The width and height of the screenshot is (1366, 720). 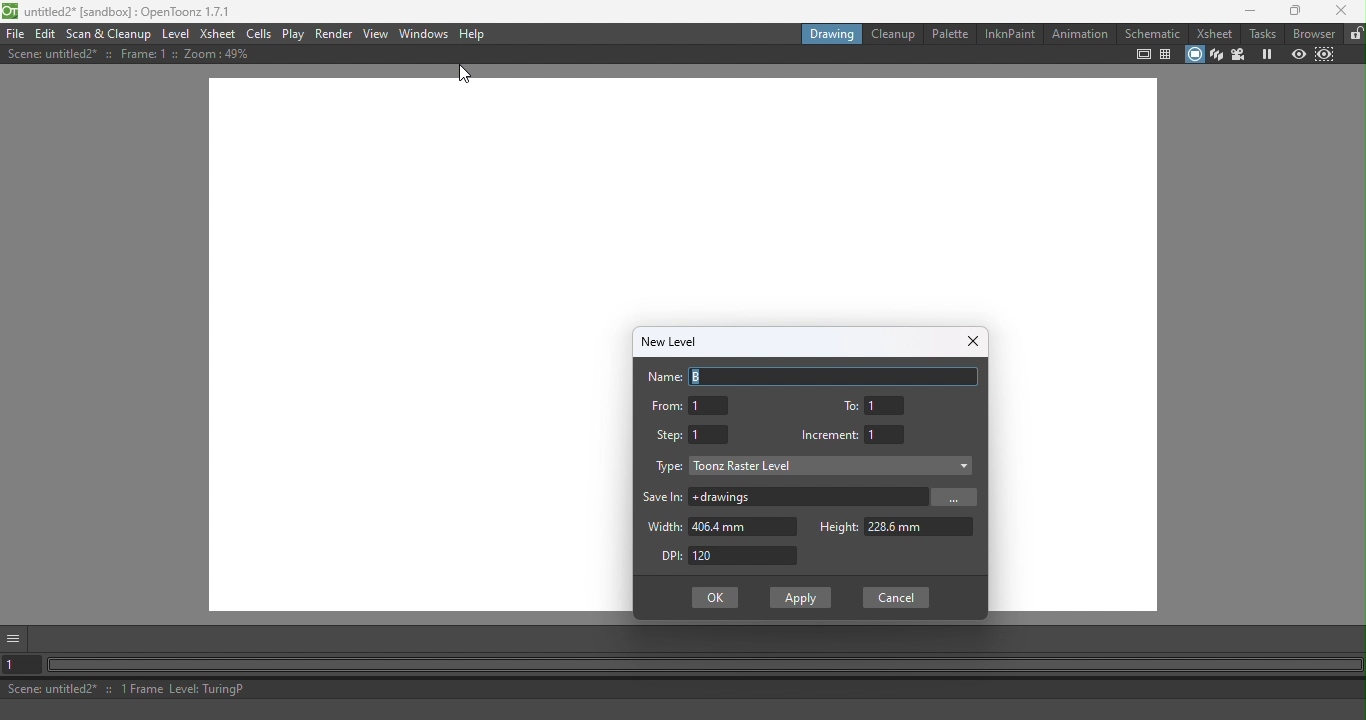 What do you see at coordinates (710, 405) in the screenshot?
I see `1` at bounding box center [710, 405].